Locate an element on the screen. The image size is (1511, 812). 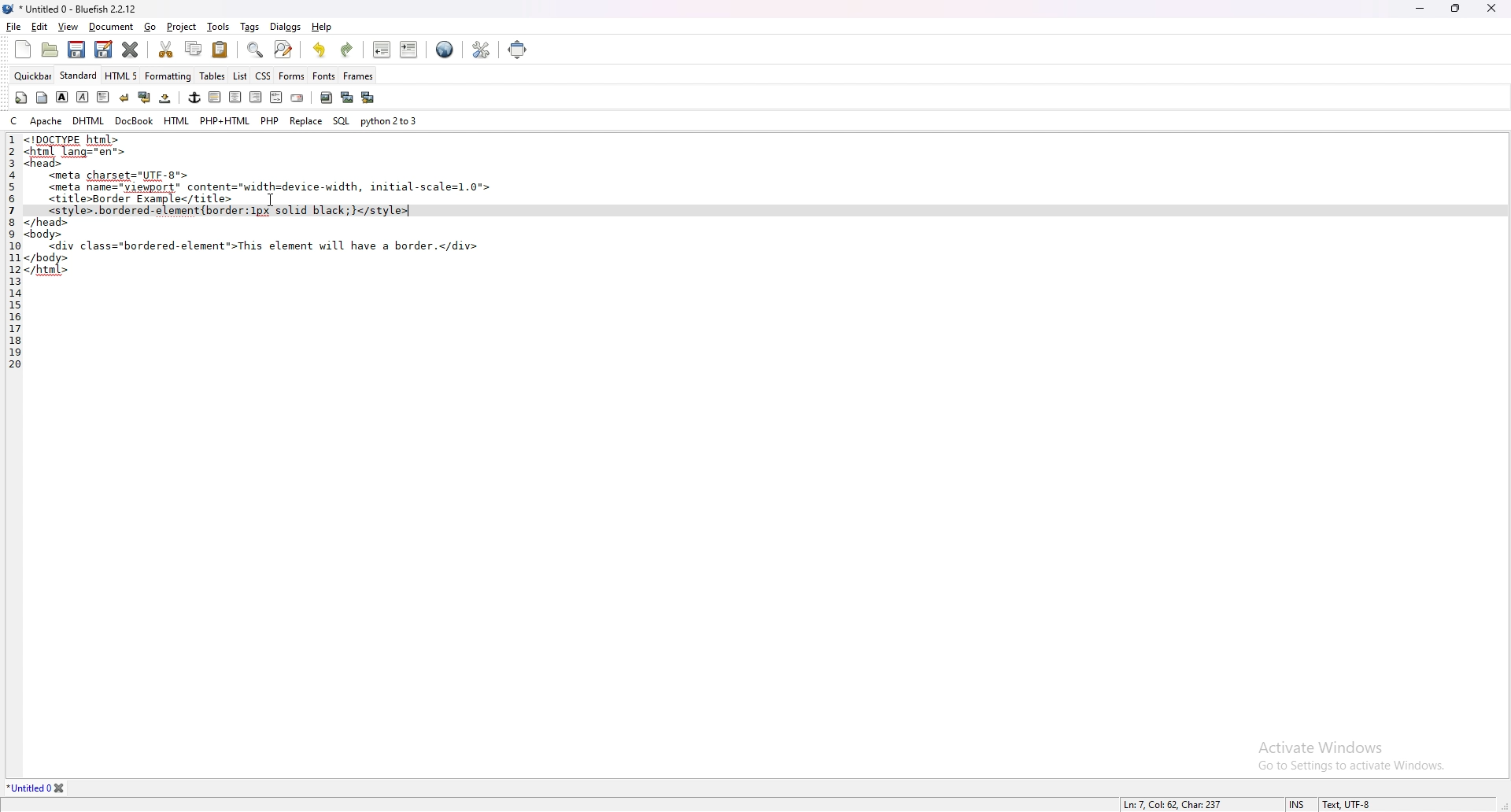
Cursor is located at coordinates (270, 200).